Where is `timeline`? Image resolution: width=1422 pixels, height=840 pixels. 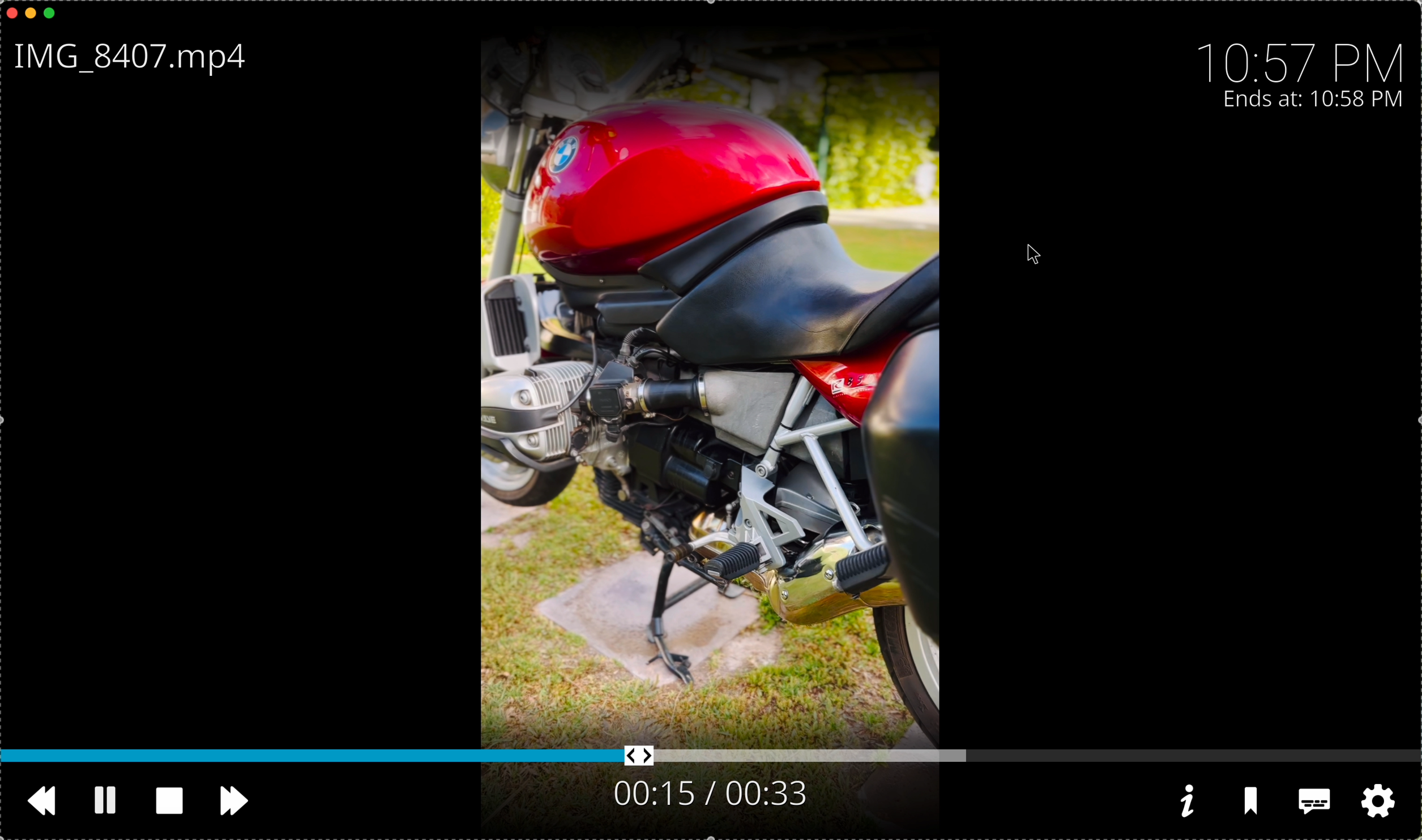 timeline is located at coordinates (711, 756).